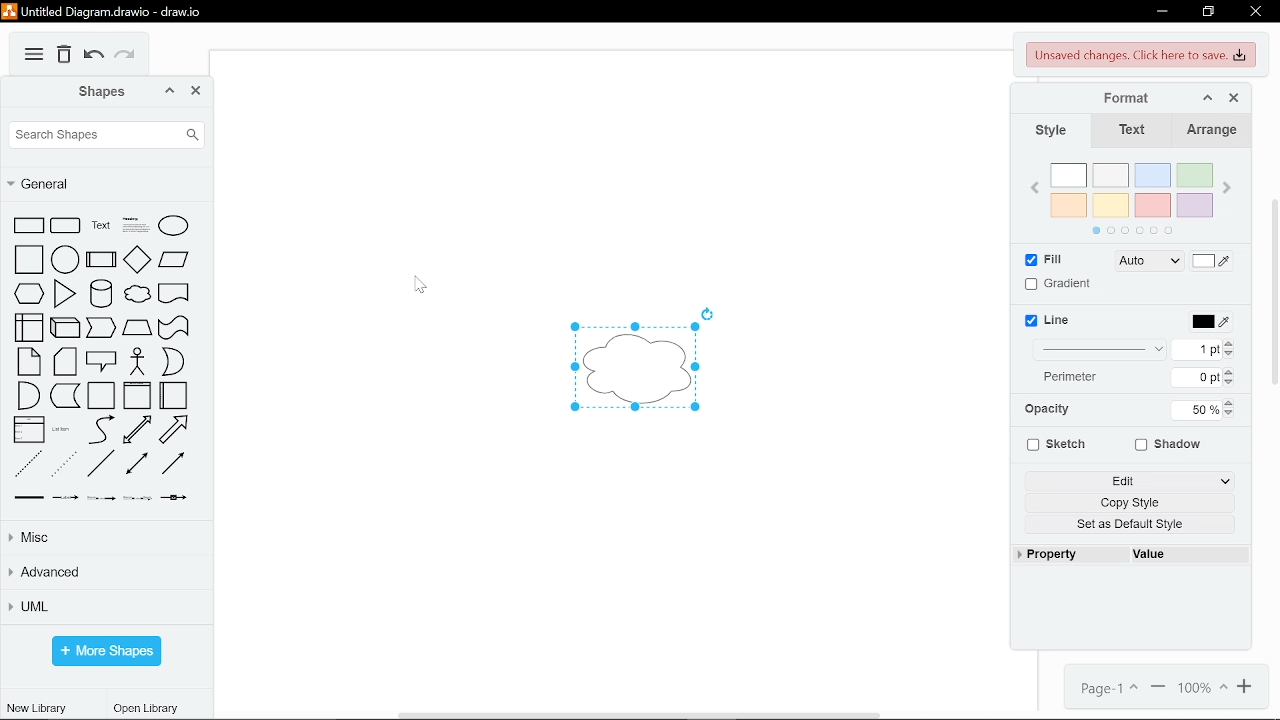  Describe the element at coordinates (99, 226) in the screenshot. I see `text` at that location.